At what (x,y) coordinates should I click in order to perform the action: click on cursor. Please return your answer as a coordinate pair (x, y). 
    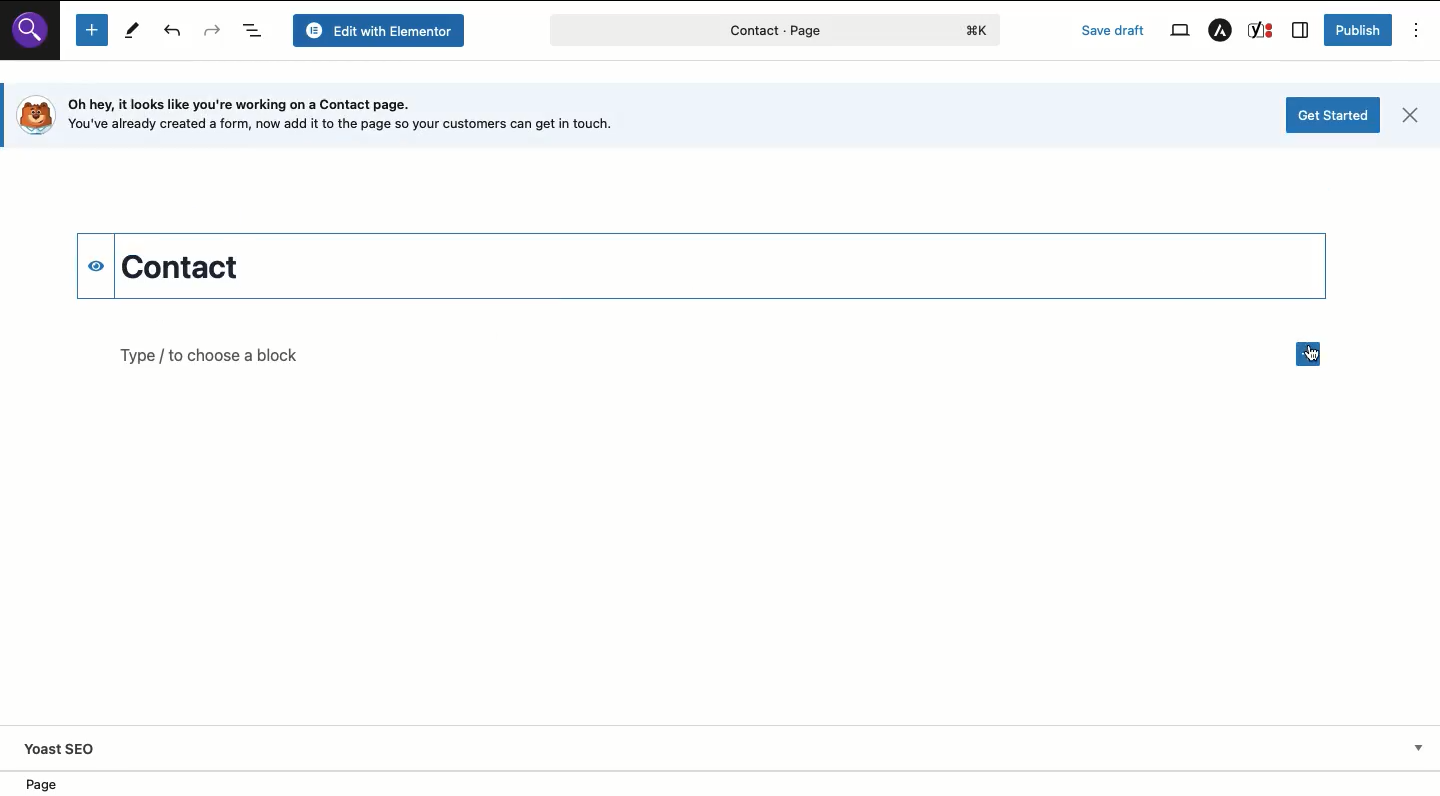
    Looking at the image, I should click on (1318, 358).